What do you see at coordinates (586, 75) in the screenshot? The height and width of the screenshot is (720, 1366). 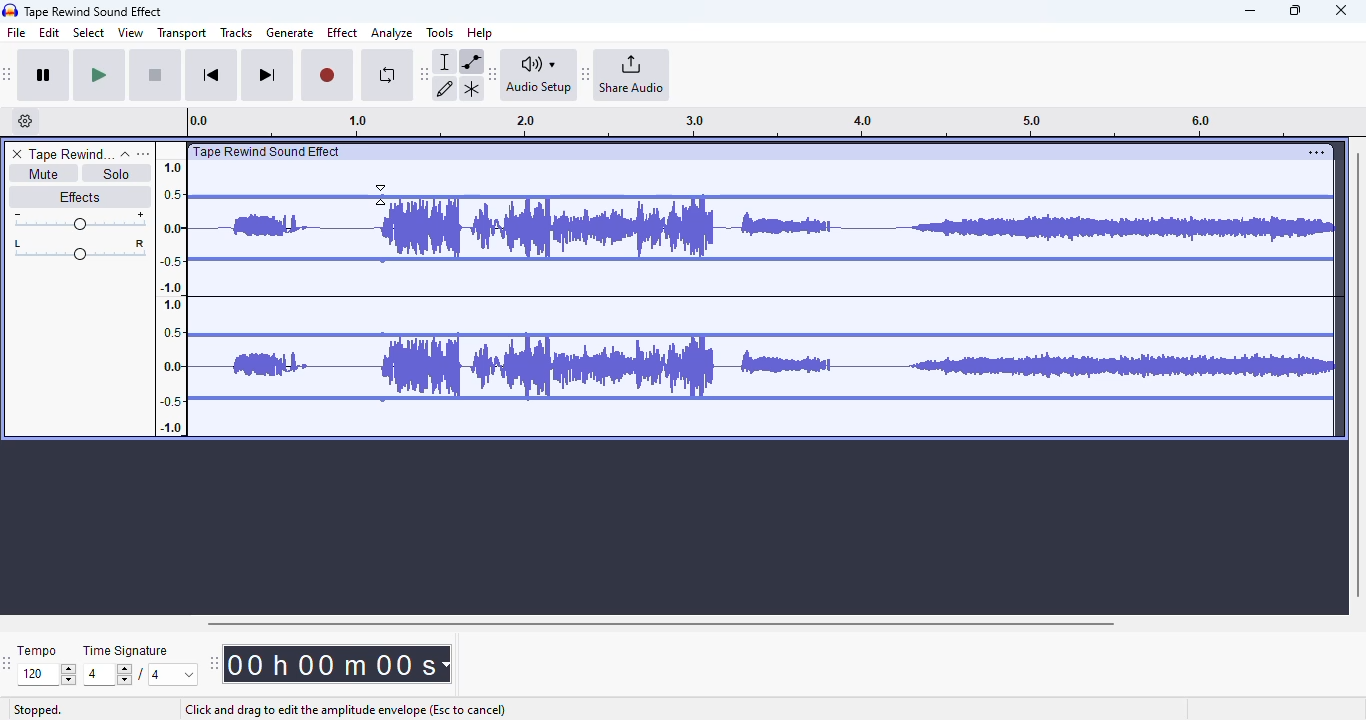 I see `Move audacity share audio toolbar` at bounding box center [586, 75].